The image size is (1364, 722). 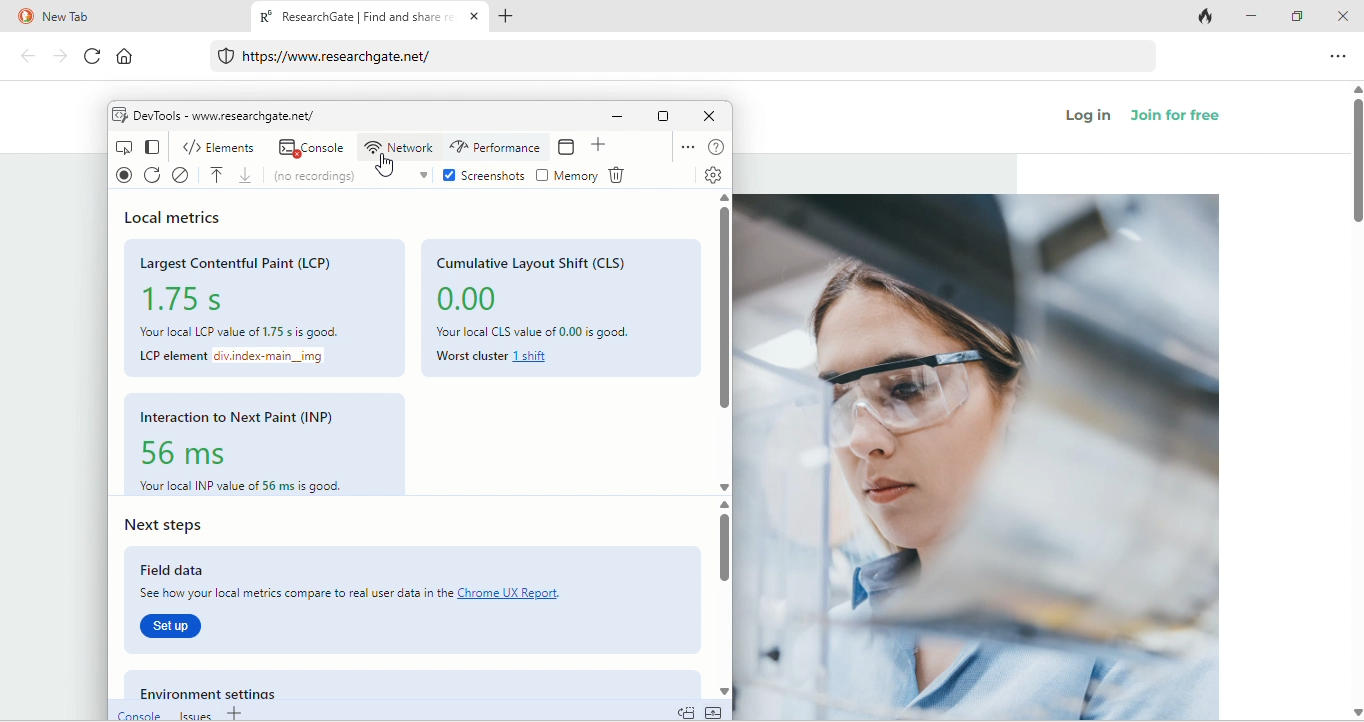 I want to click on clear, so click(x=186, y=175).